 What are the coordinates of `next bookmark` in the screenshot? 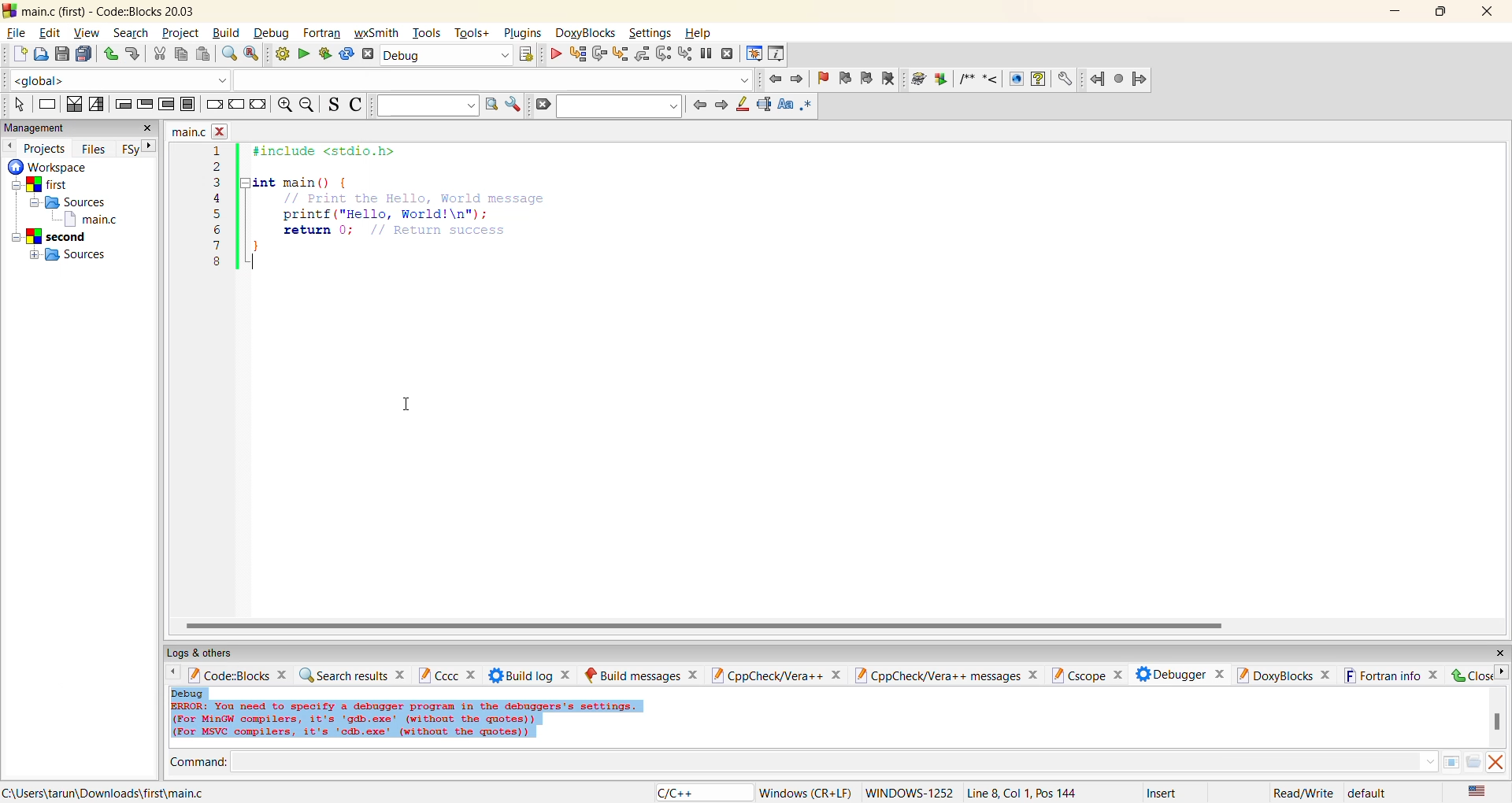 It's located at (866, 79).